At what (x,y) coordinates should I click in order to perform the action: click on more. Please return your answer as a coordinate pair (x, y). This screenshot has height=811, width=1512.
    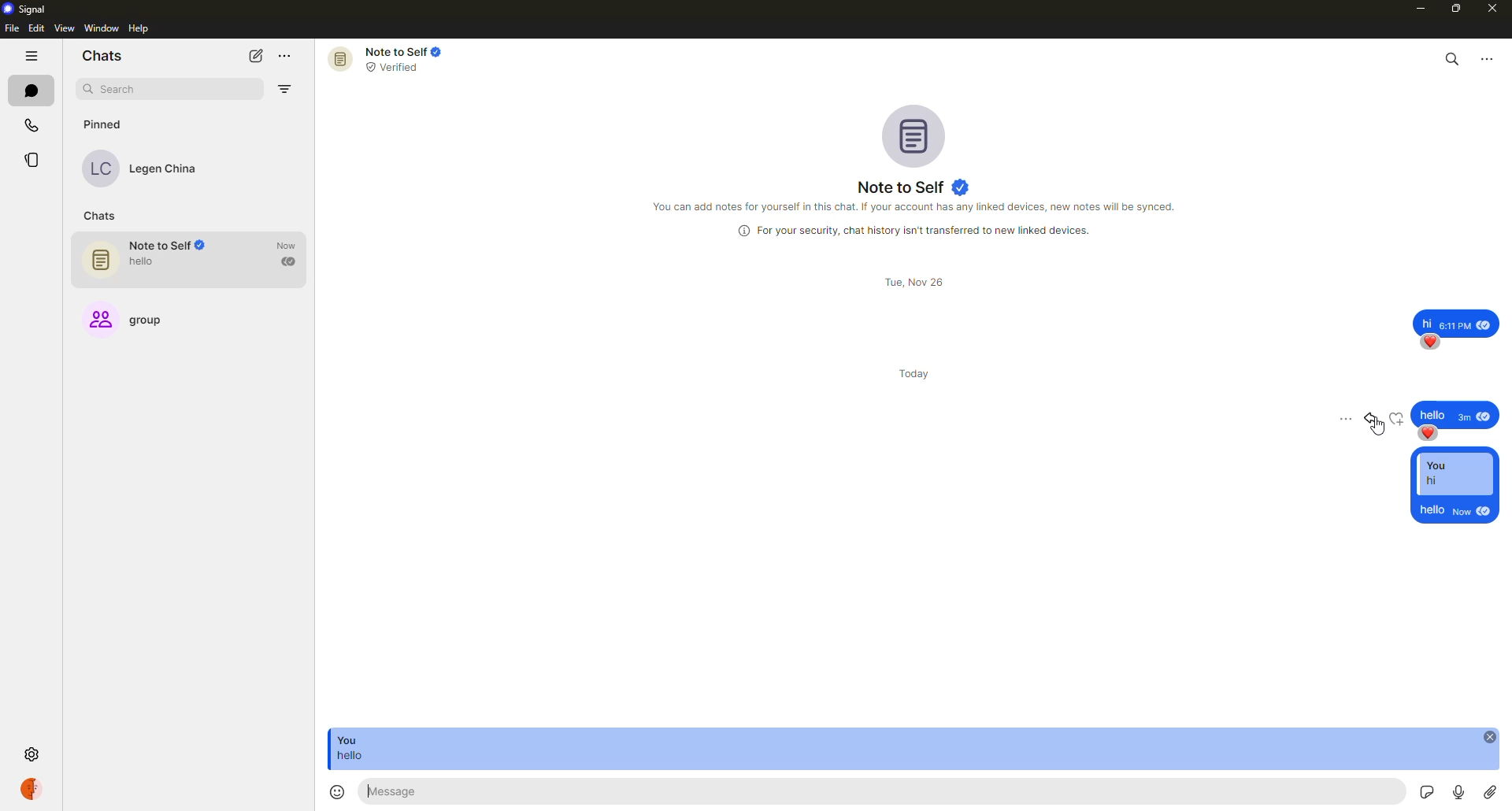
    Looking at the image, I should click on (289, 55).